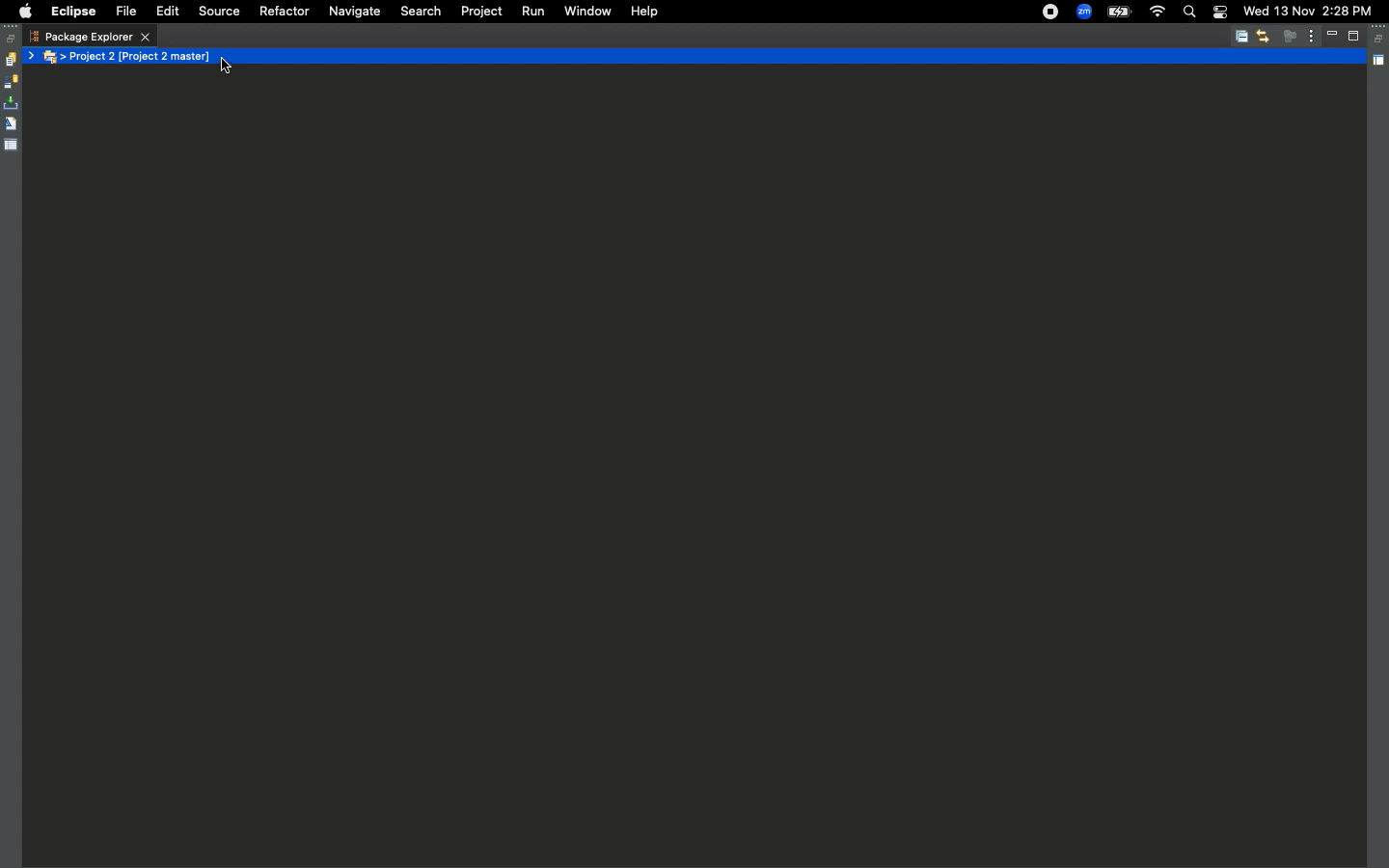 The height and width of the screenshot is (868, 1389). I want to click on Search, so click(421, 12).